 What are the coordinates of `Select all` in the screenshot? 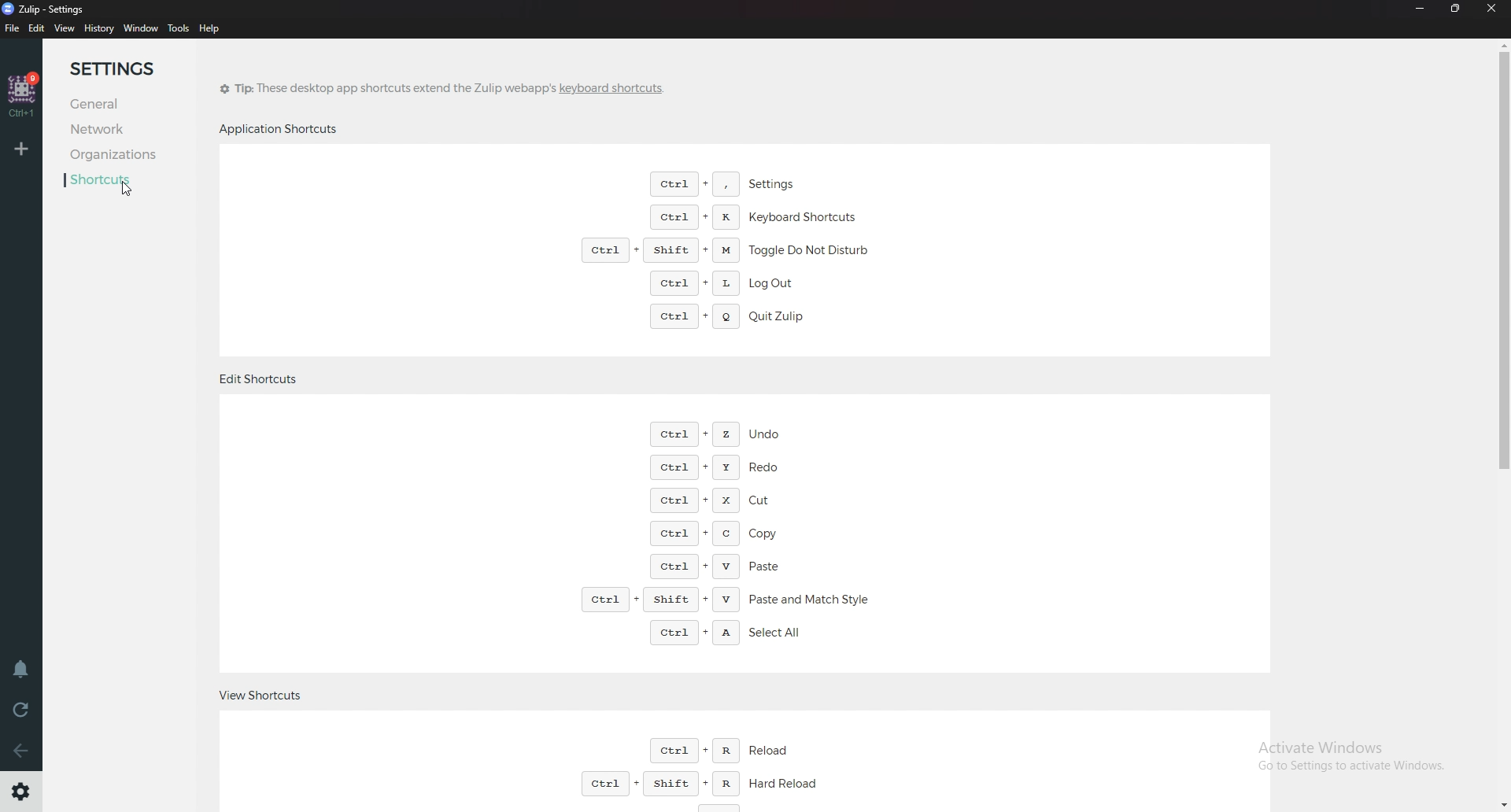 It's located at (733, 630).